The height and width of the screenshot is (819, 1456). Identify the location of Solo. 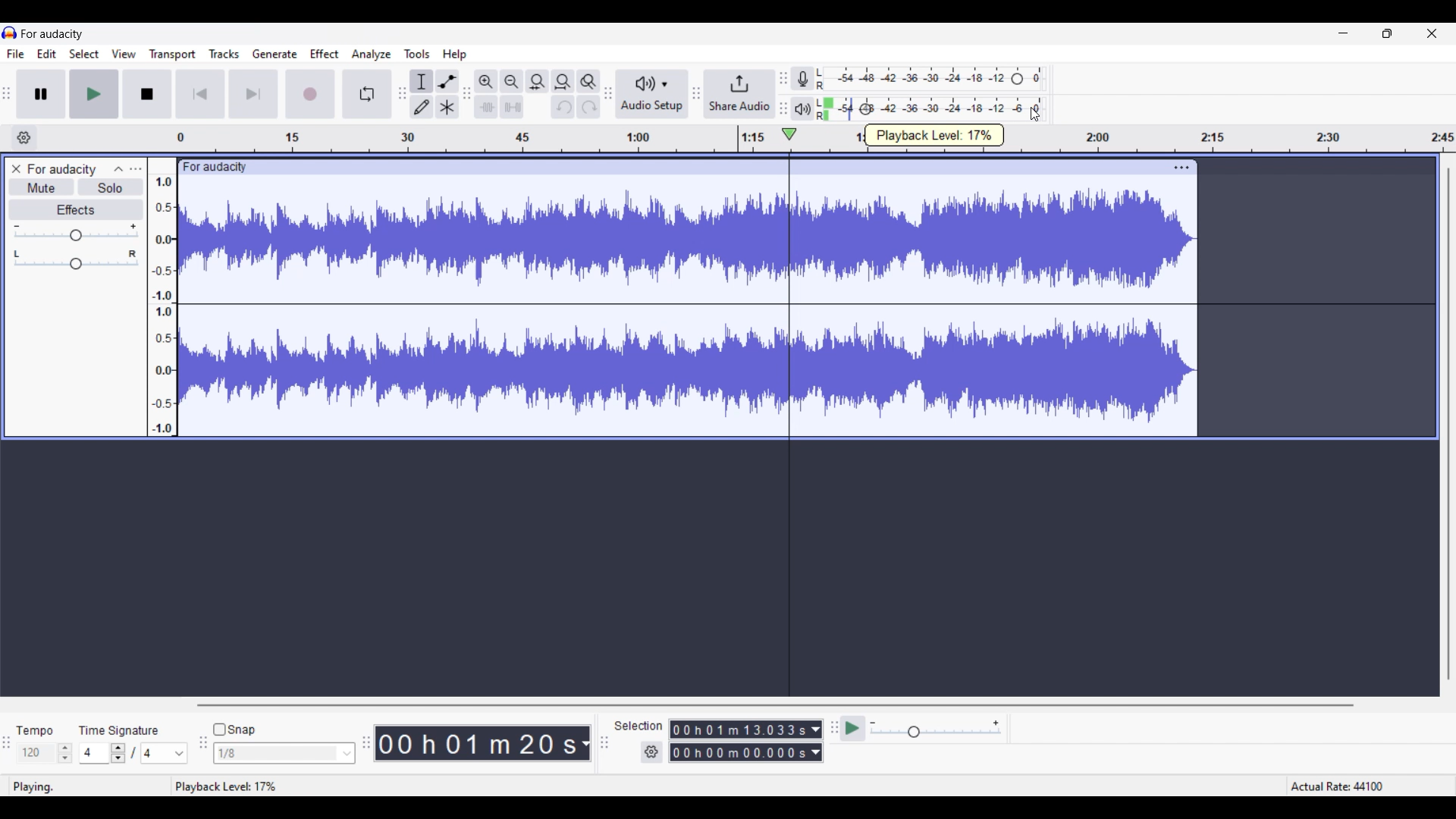
(111, 187).